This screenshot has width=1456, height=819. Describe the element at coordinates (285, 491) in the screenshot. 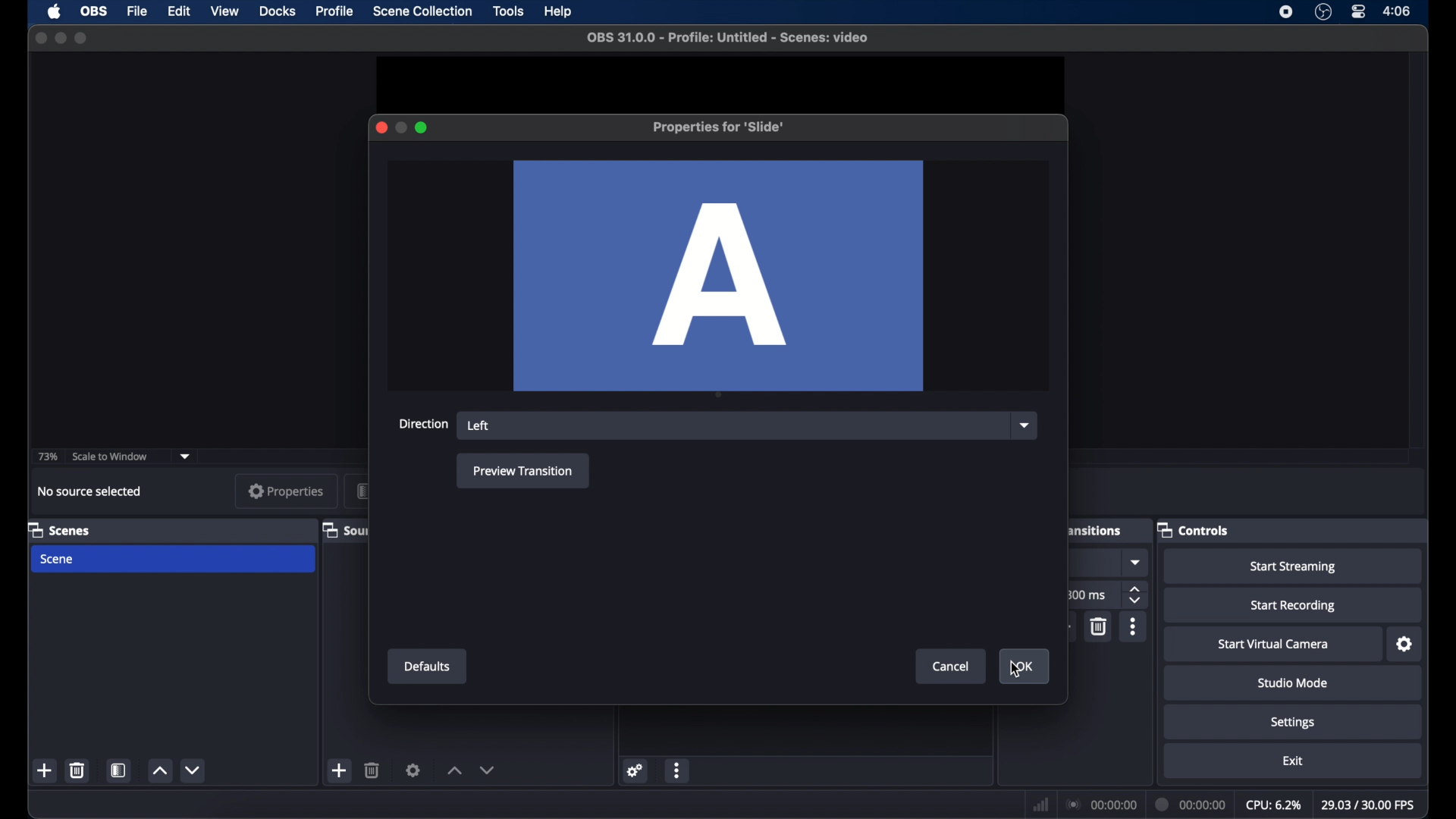

I see `properties` at that location.